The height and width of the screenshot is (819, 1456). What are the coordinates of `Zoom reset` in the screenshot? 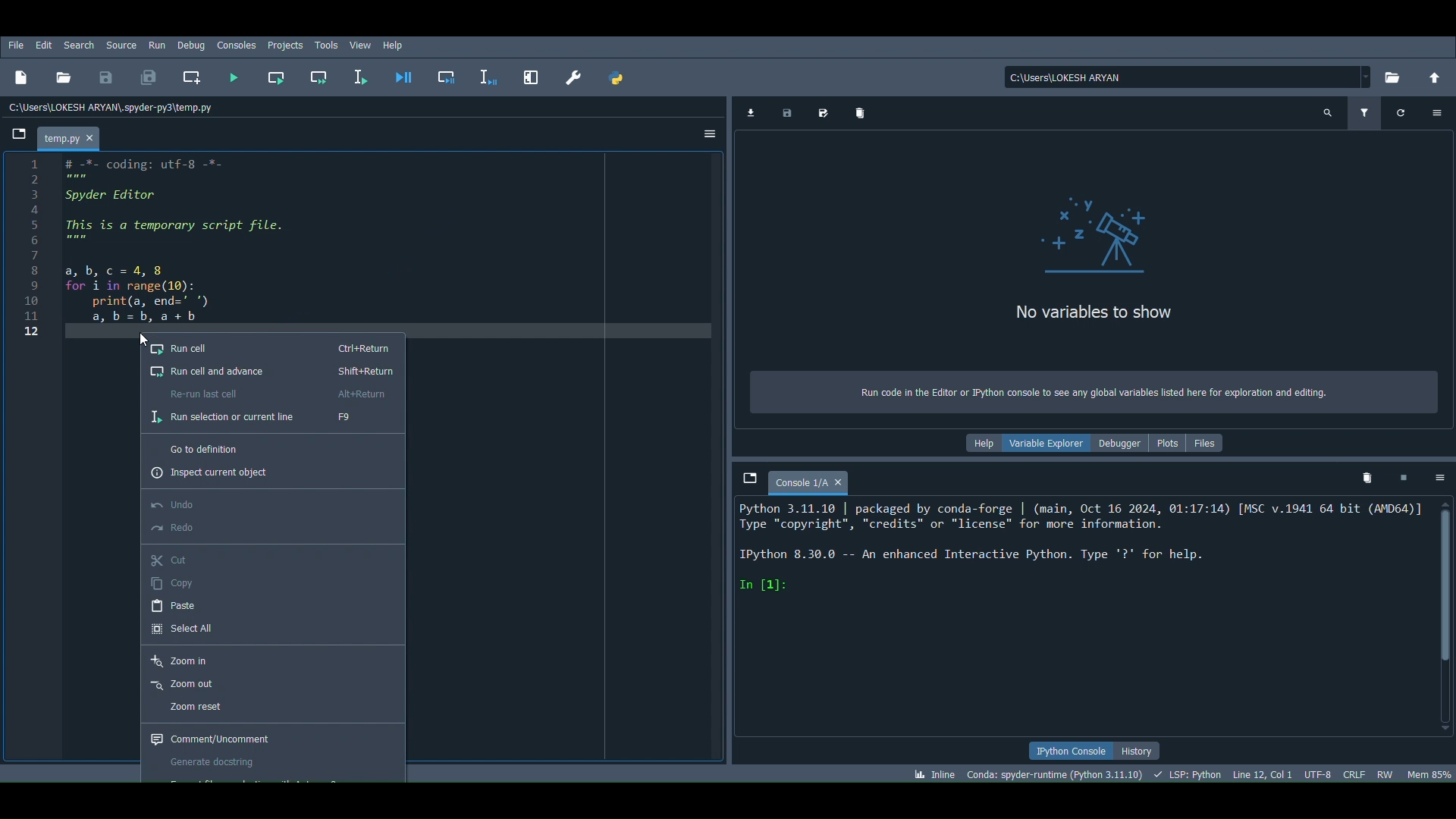 It's located at (273, 705).